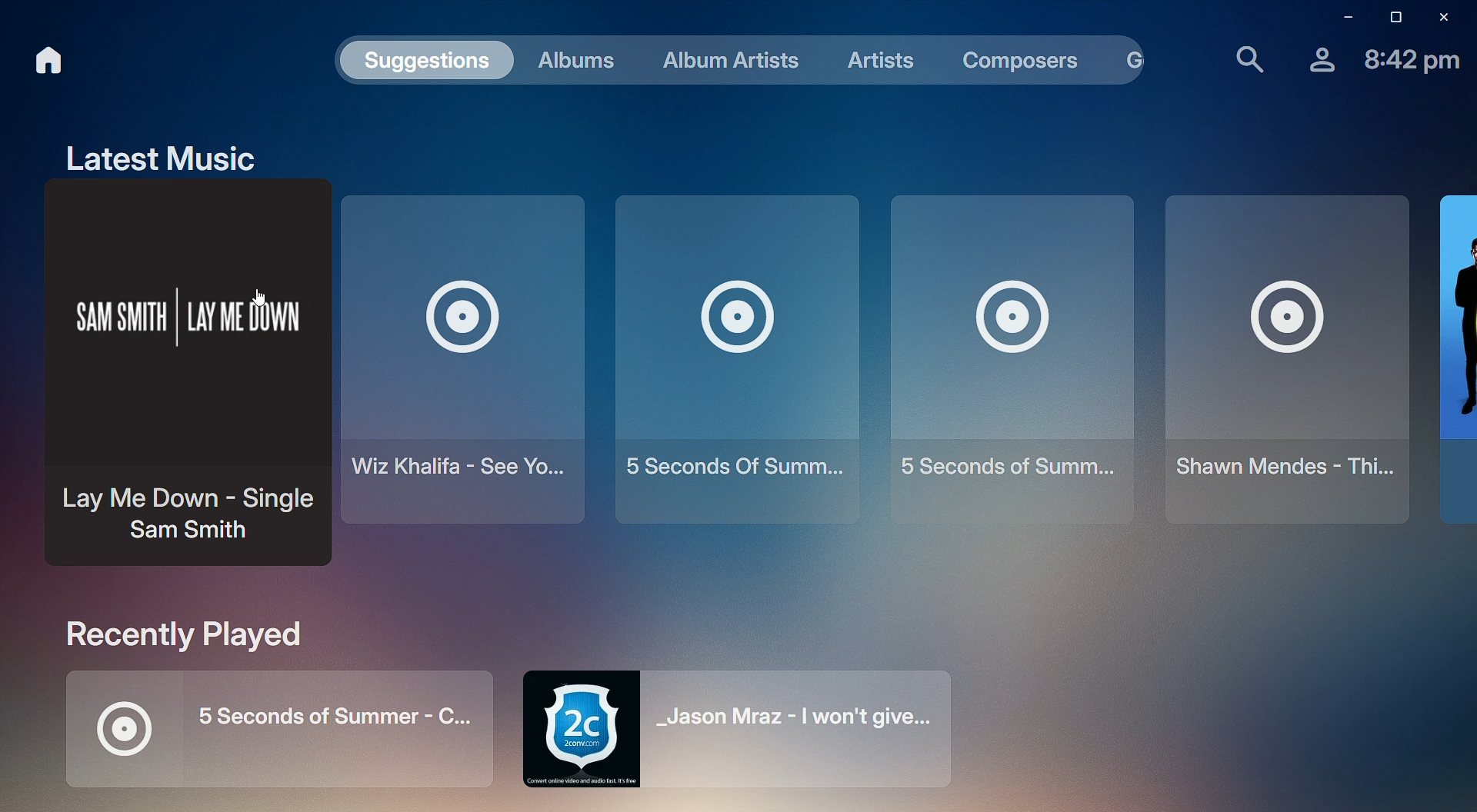 The height and width of the screenshot is (812, 1477). Describe the element at coordinates (732, 357) in the screenshot. I see `5 seconds of ` at that location.